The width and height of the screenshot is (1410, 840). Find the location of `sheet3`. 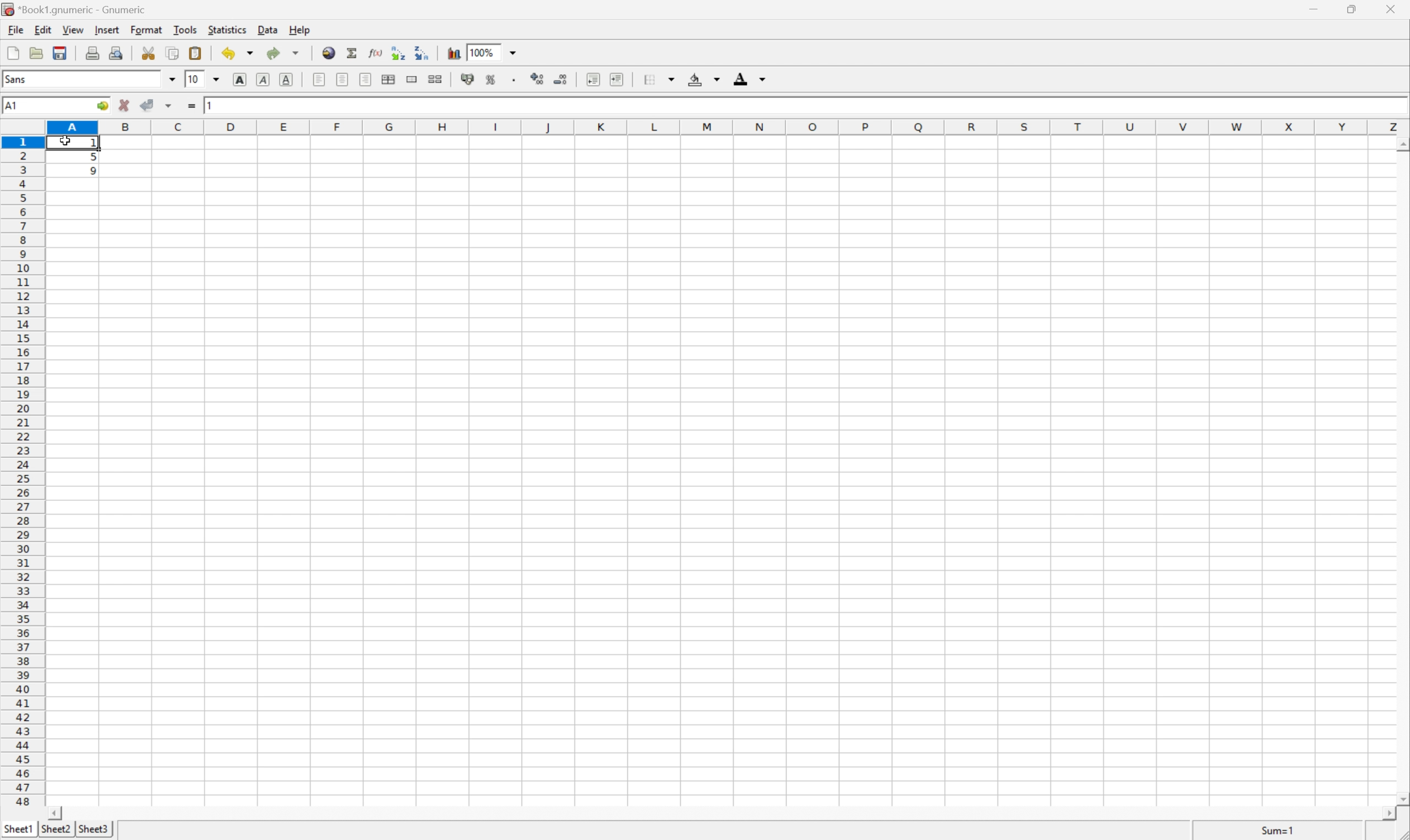

sheet3 is located at coordinates (93, 830).